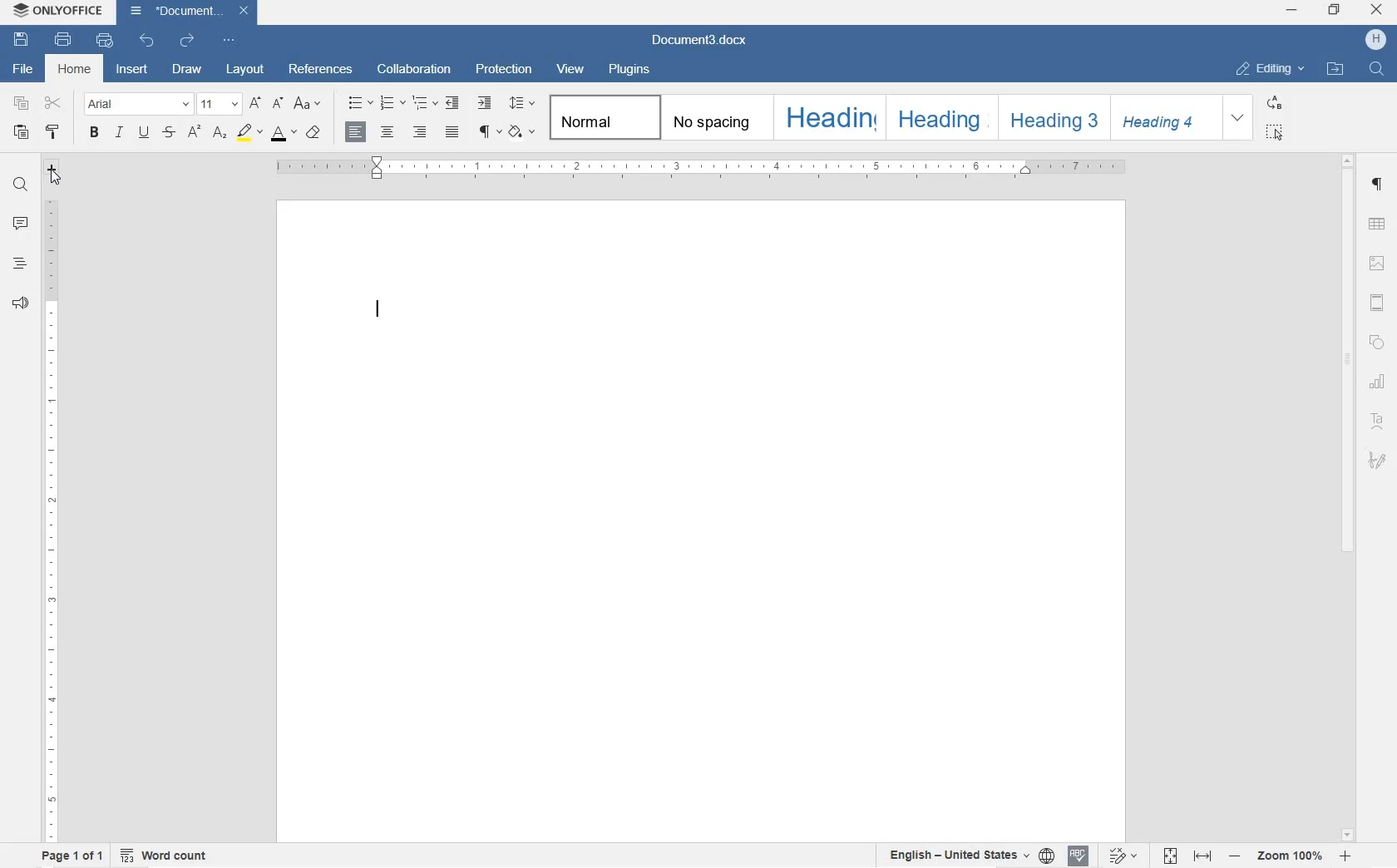 This screenshot has width=1397, height=868. I want to click on HP, so click(1374, 41).